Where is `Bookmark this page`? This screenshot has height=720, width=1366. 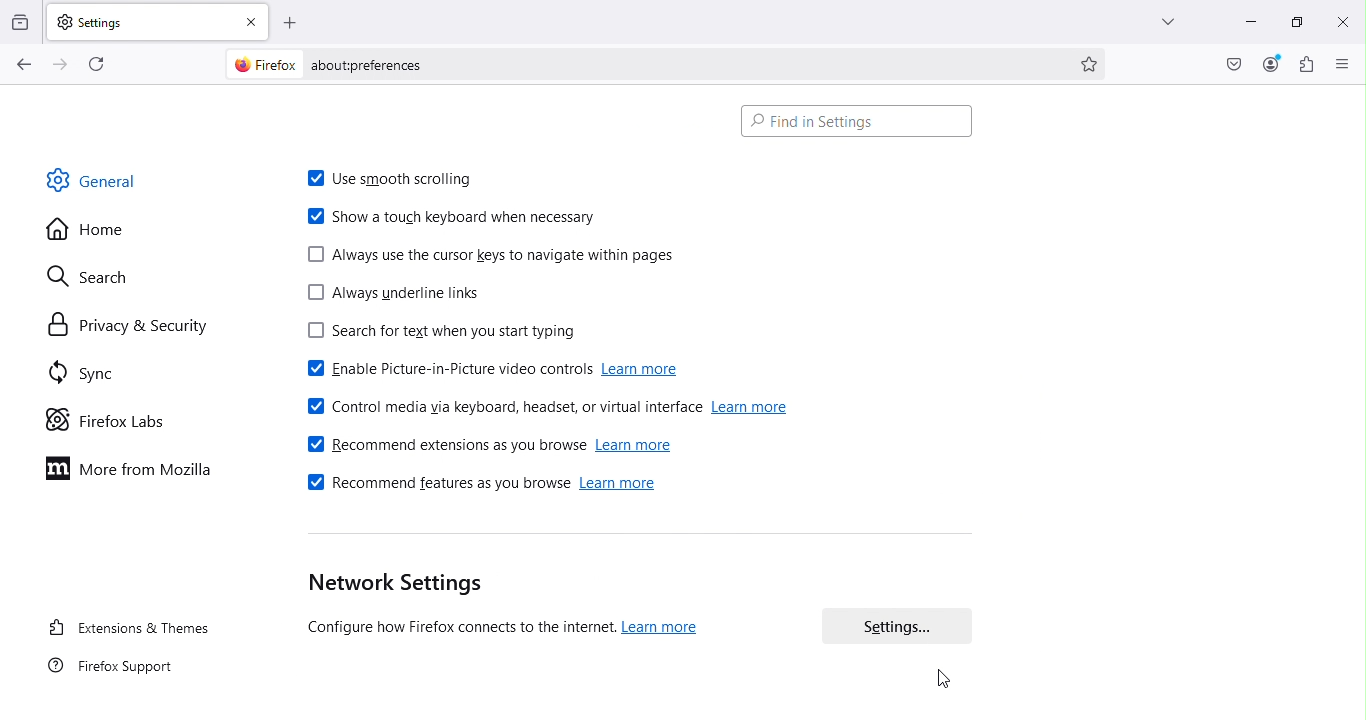 Bookmark this page is located at coordinates (1093, 66).